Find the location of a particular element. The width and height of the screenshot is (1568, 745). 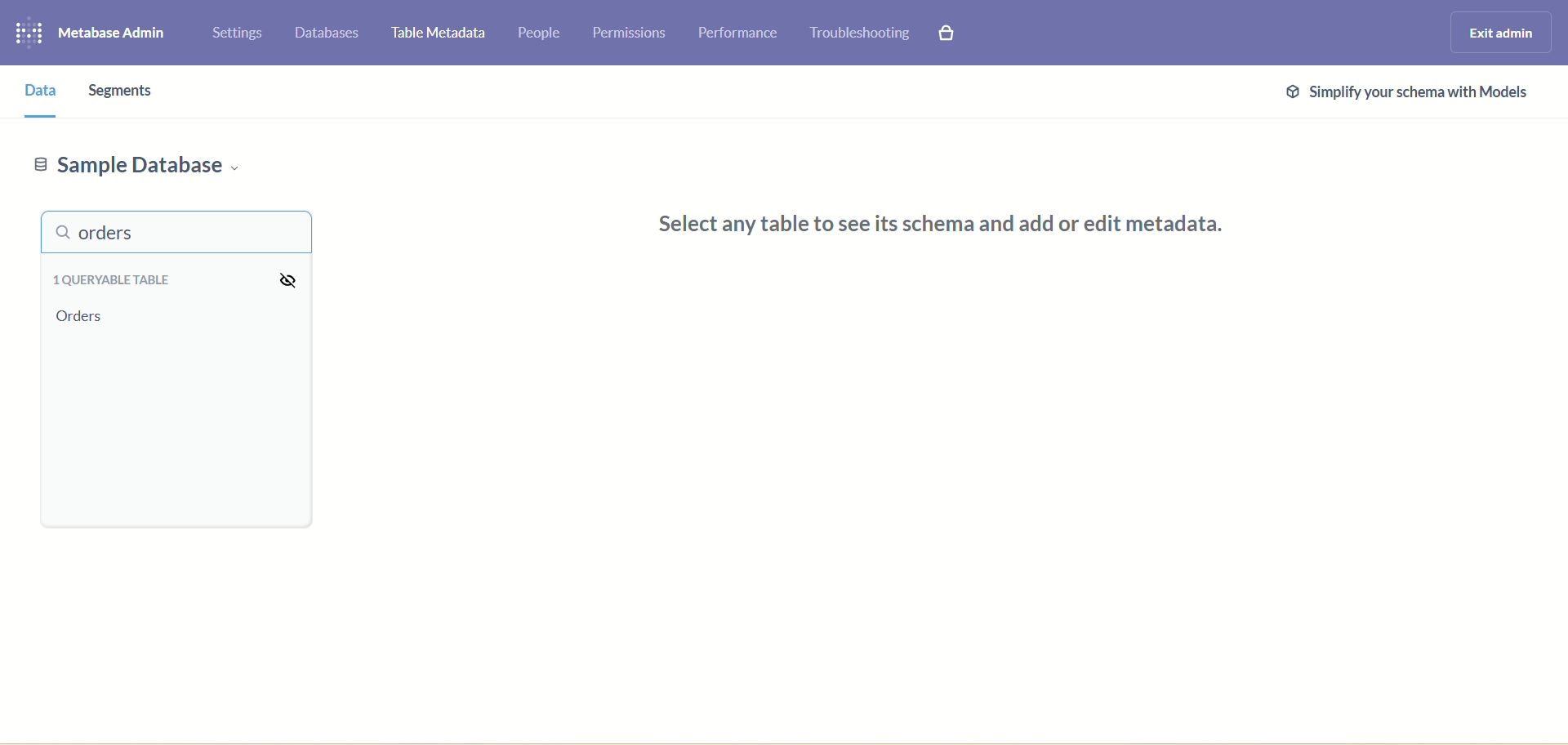

logo is located at coordinates (28, 31).